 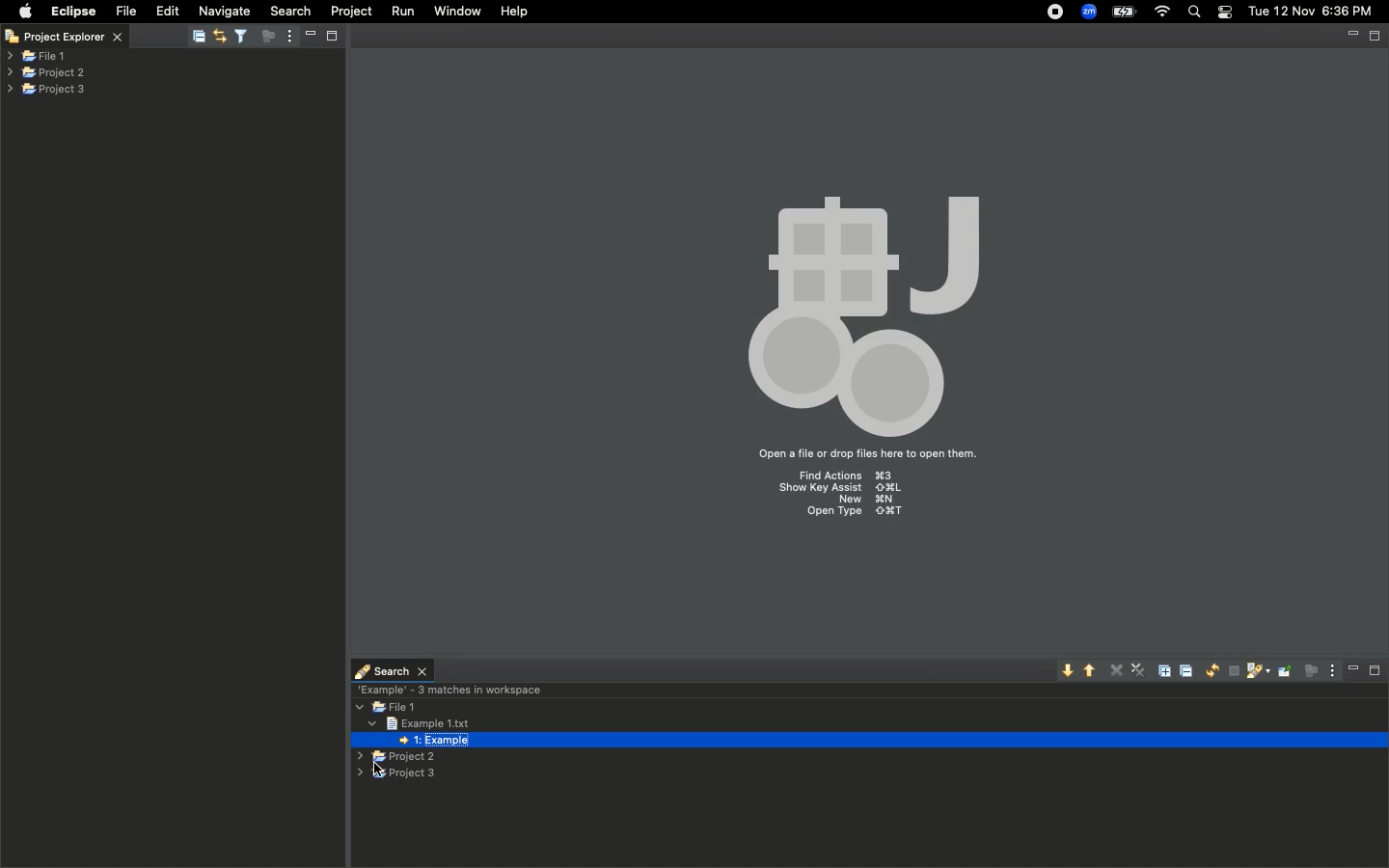 I want to click on File 1, so click(x=389, y=708).